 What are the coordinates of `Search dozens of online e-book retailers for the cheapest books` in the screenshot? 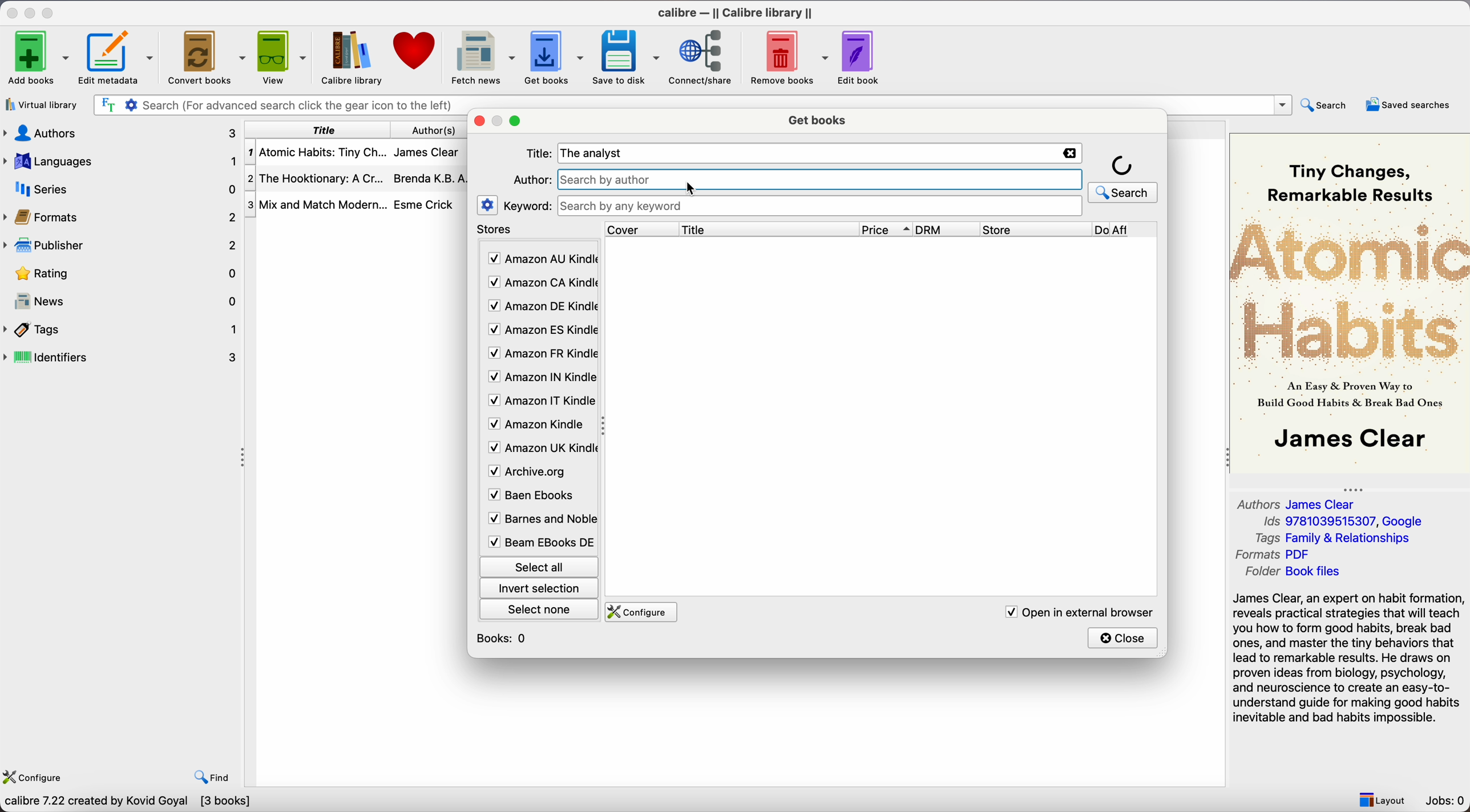 It's located at (172, 803).